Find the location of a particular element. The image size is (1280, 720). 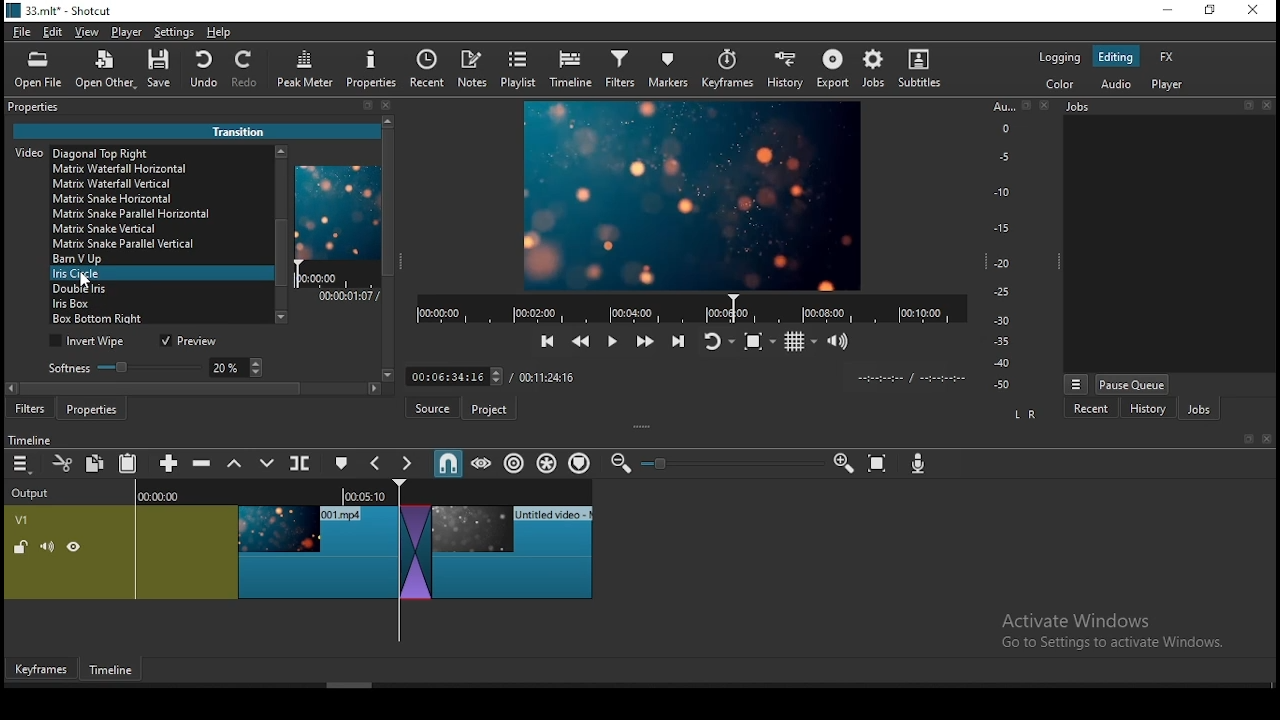

00:00:00 is located at coordinates (321, 277).